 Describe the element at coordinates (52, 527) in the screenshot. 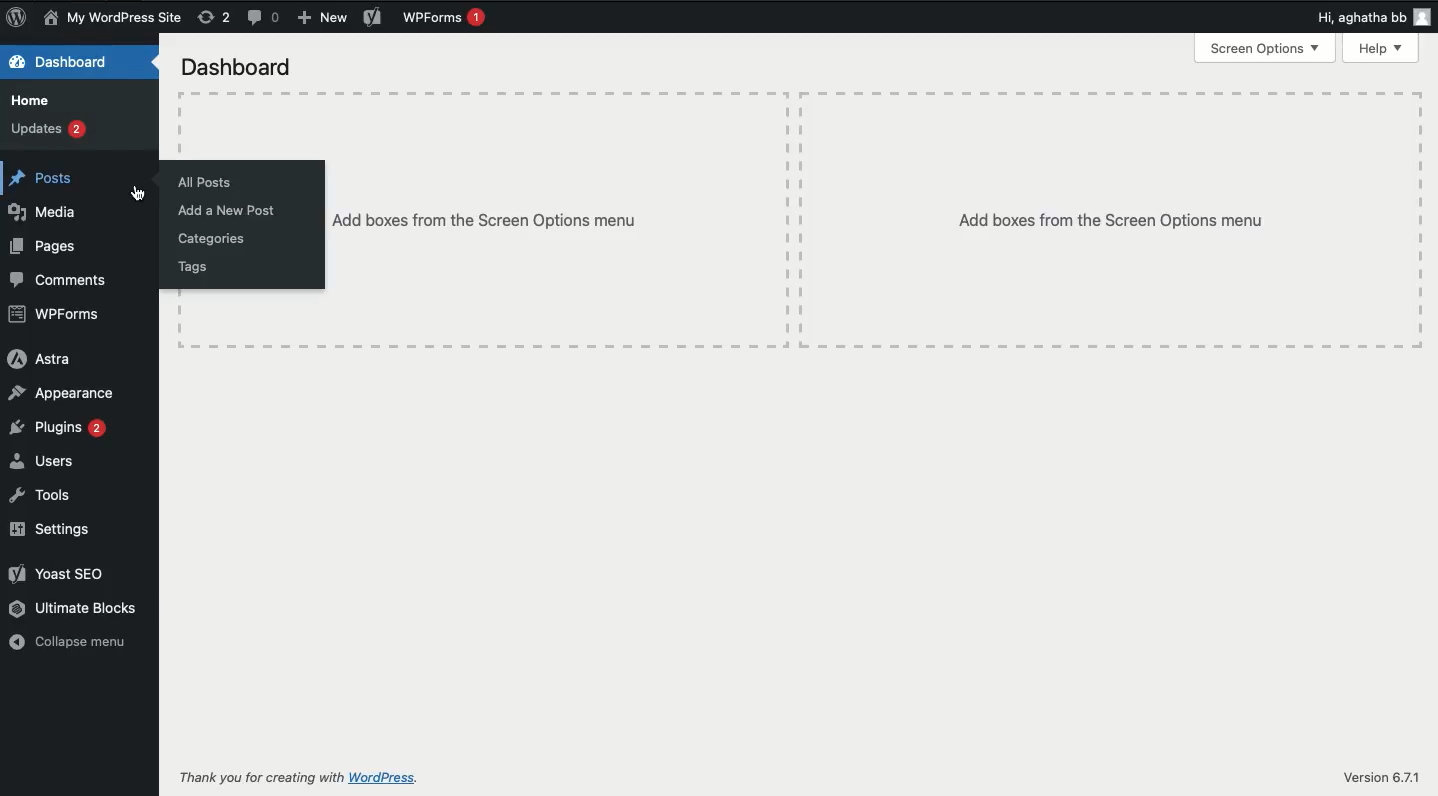

I see `Settings` at that location.